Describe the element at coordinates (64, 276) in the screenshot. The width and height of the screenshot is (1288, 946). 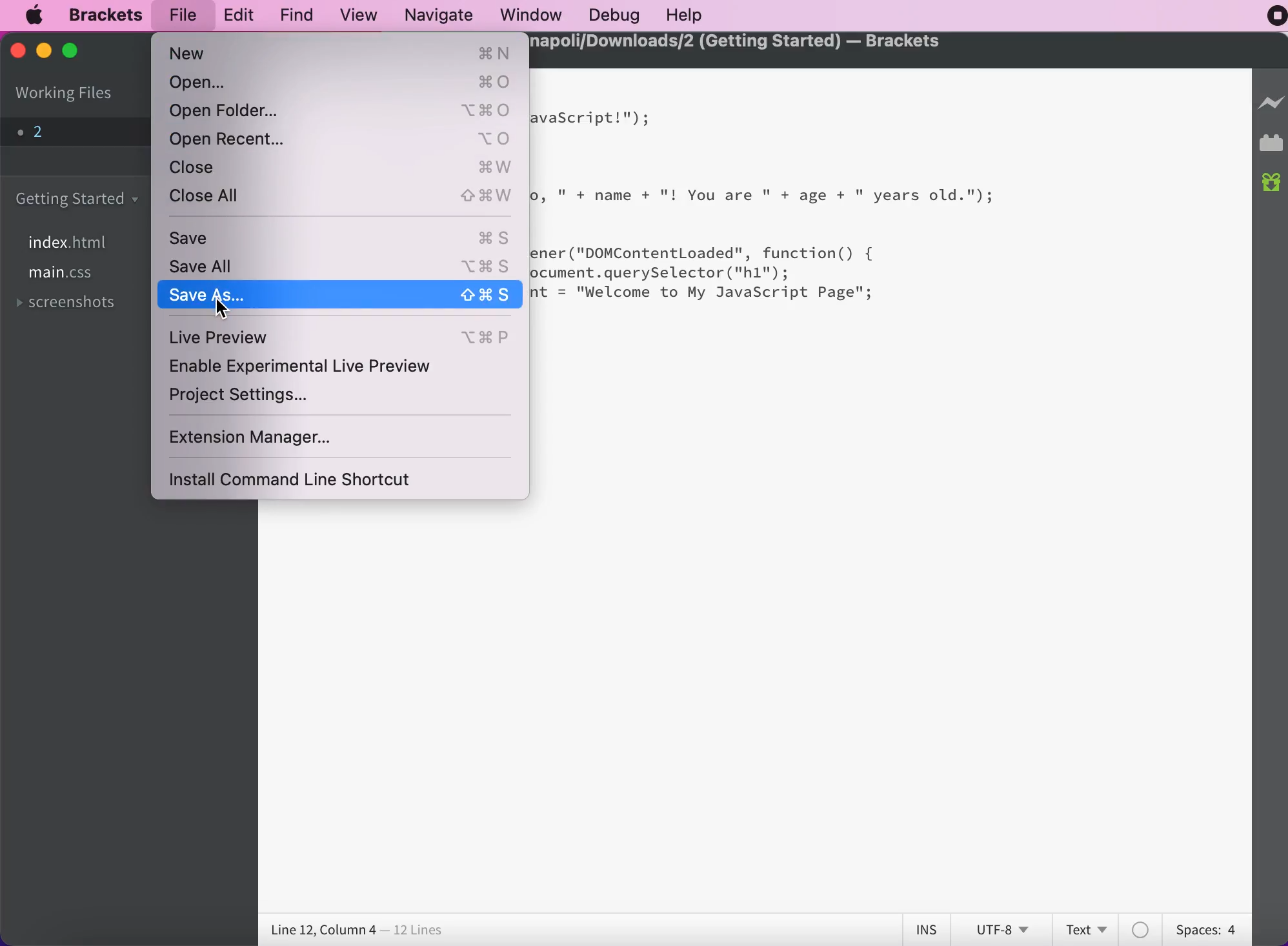
I see `main.css` at that location.